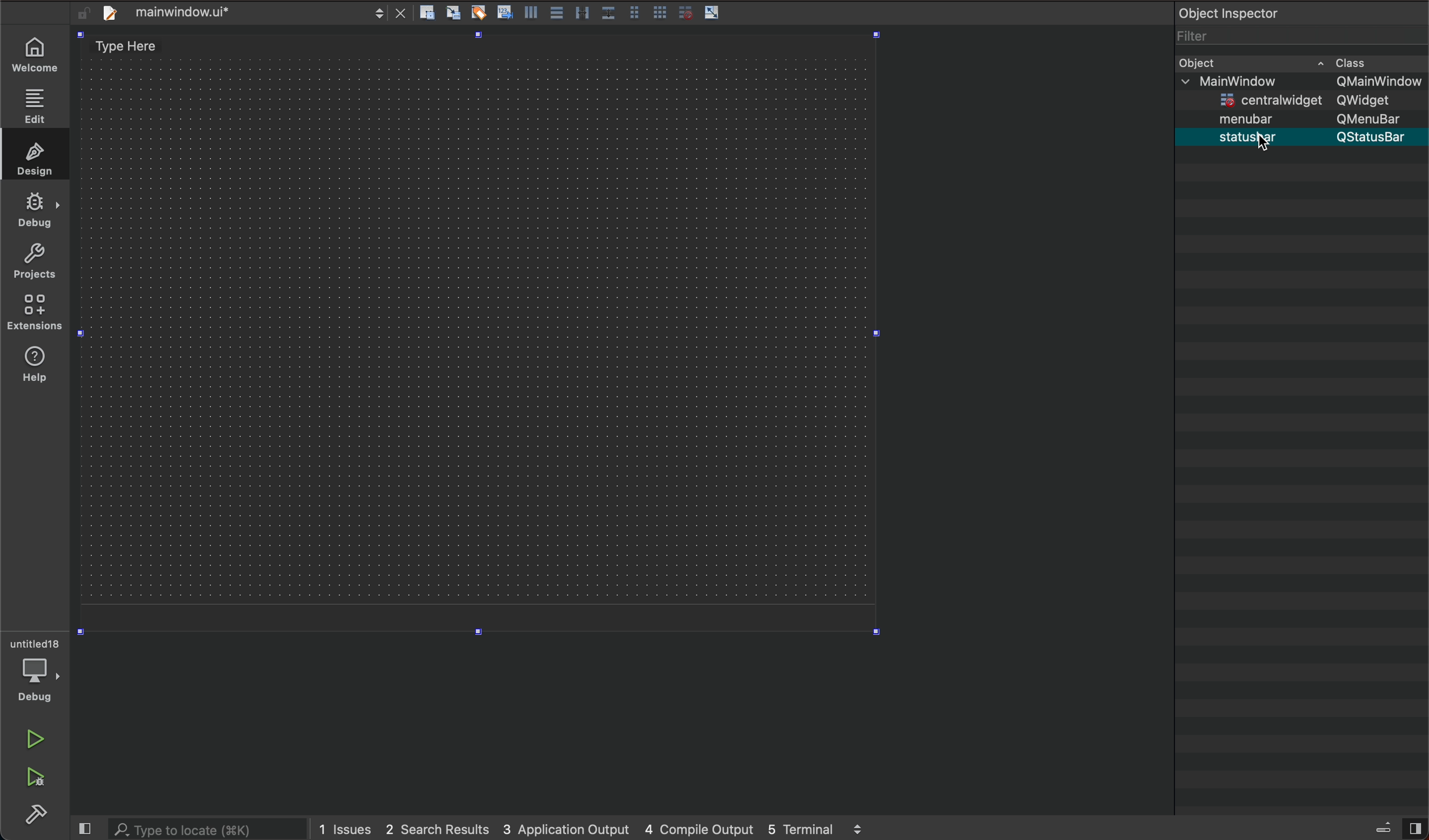 This screenshot has height=840, width=1429. What do you see at coordinates (701, 827) in the screenshot?
I see `4 couple output` at bounding box center [701, 827].